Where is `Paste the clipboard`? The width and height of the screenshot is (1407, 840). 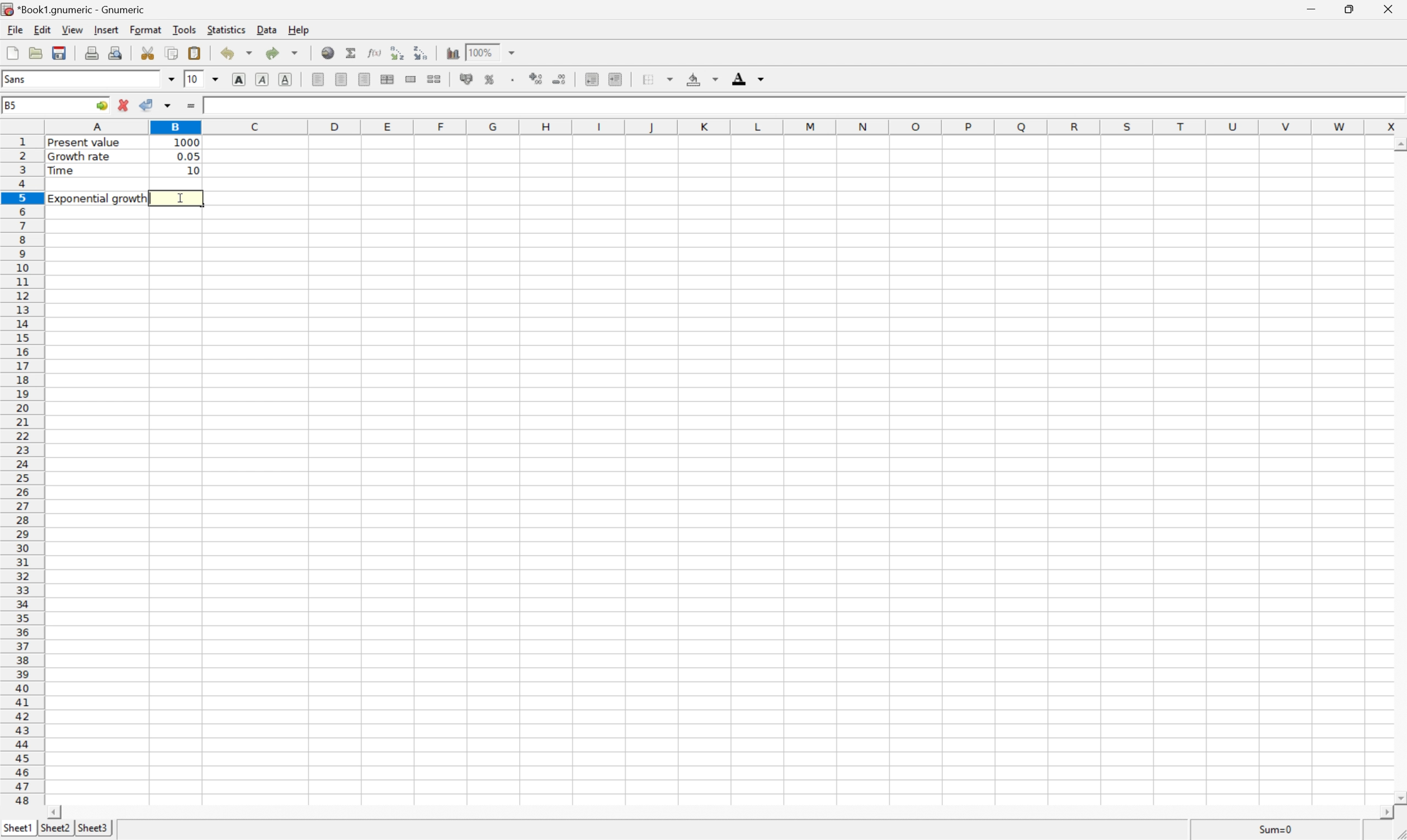 Paste the clipboard is located at coordinates (196, 52).